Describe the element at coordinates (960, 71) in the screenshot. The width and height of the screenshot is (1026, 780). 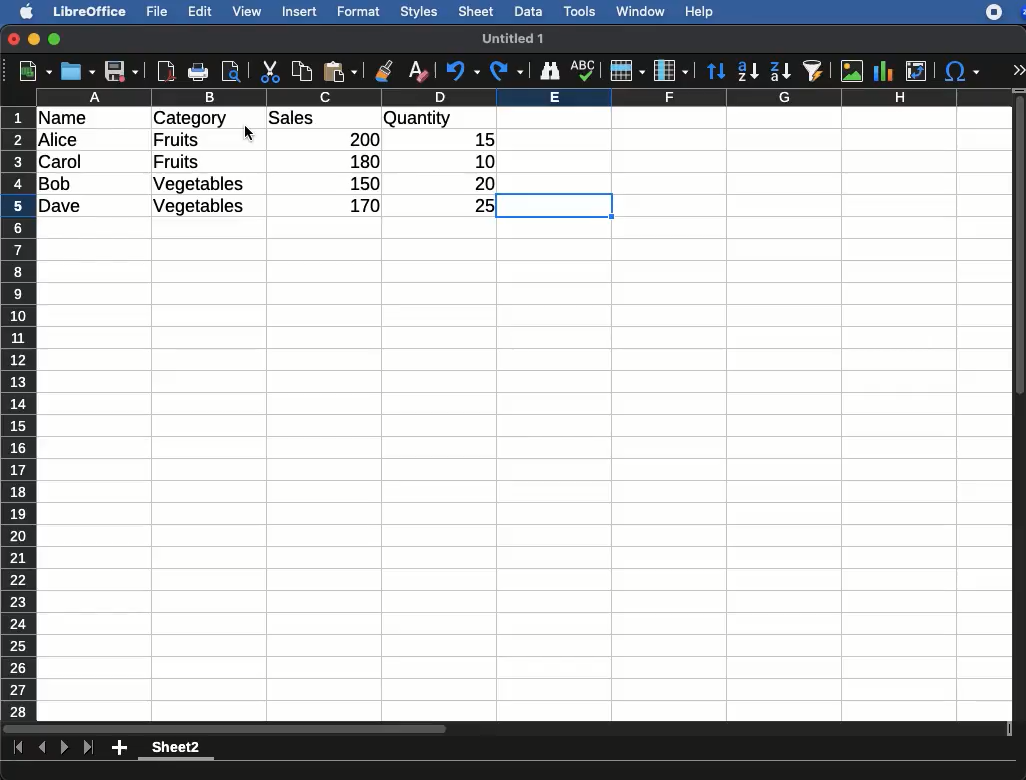
I see `special characters` at that location.